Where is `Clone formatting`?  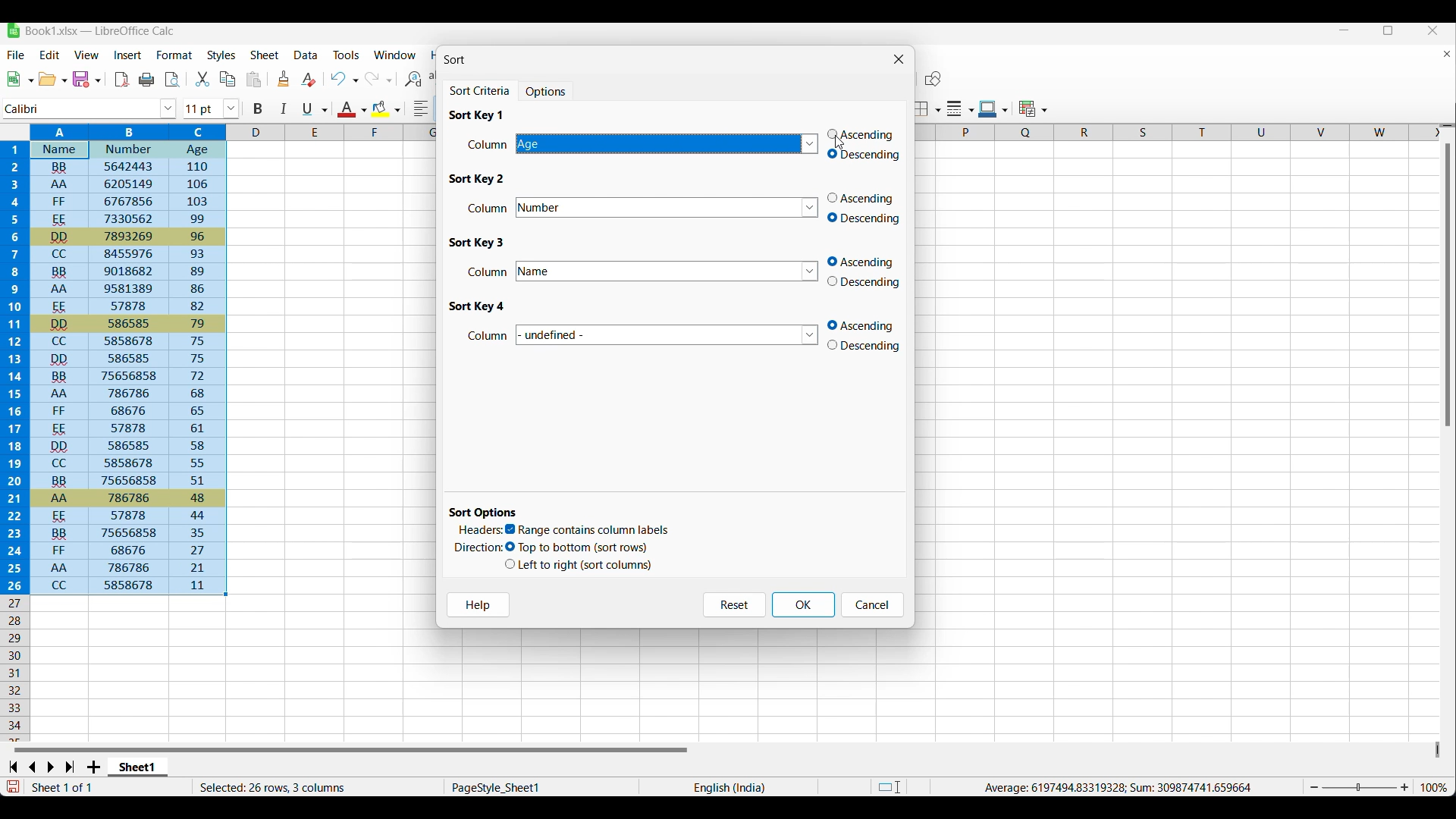
Clone formatting is located at coordinates (284, 78).